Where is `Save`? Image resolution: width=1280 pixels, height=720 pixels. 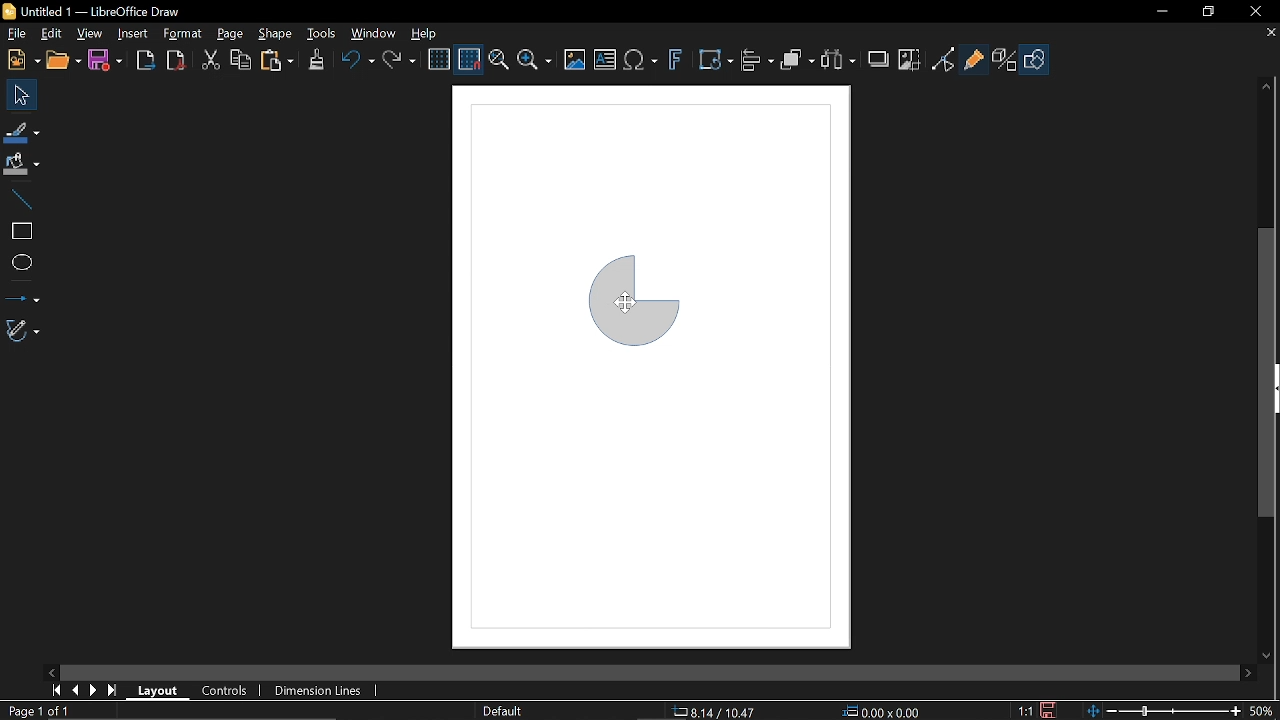 Save is located at coordinates (109, 60).